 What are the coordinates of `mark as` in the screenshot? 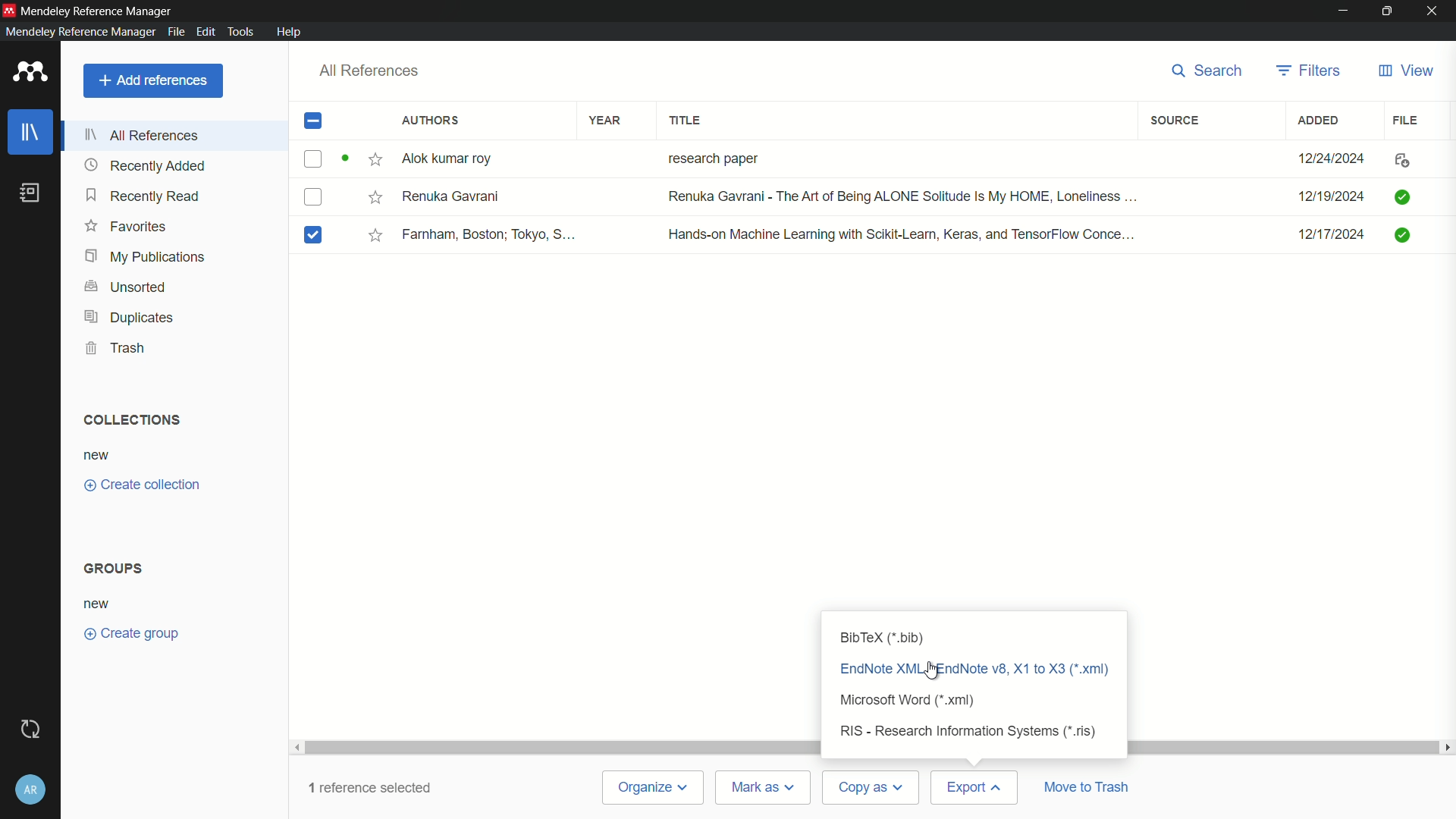 It's located at (764, 788).